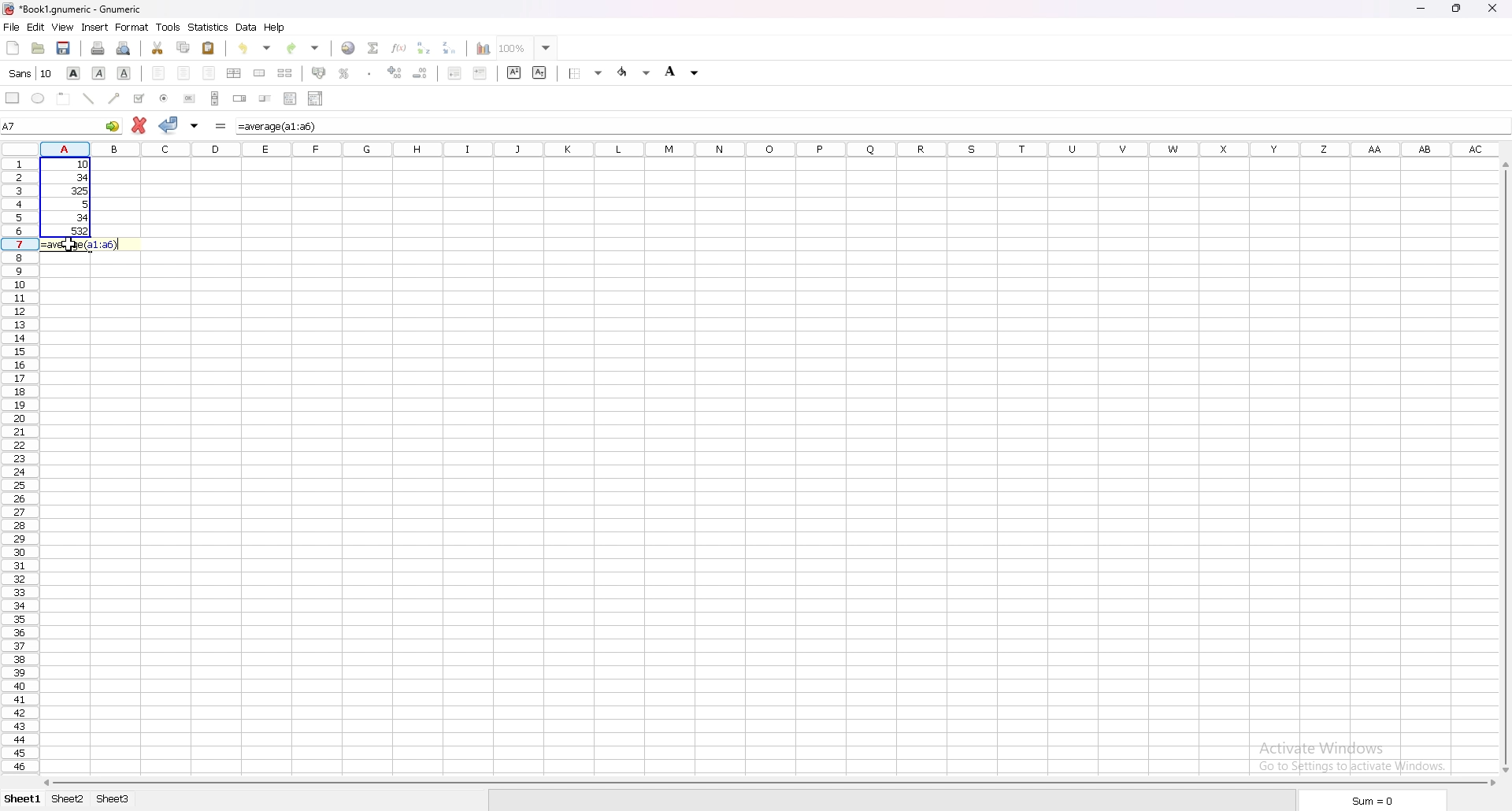 This screenshot has height=811, width=1512. I want to click on center, so click(184, 72).